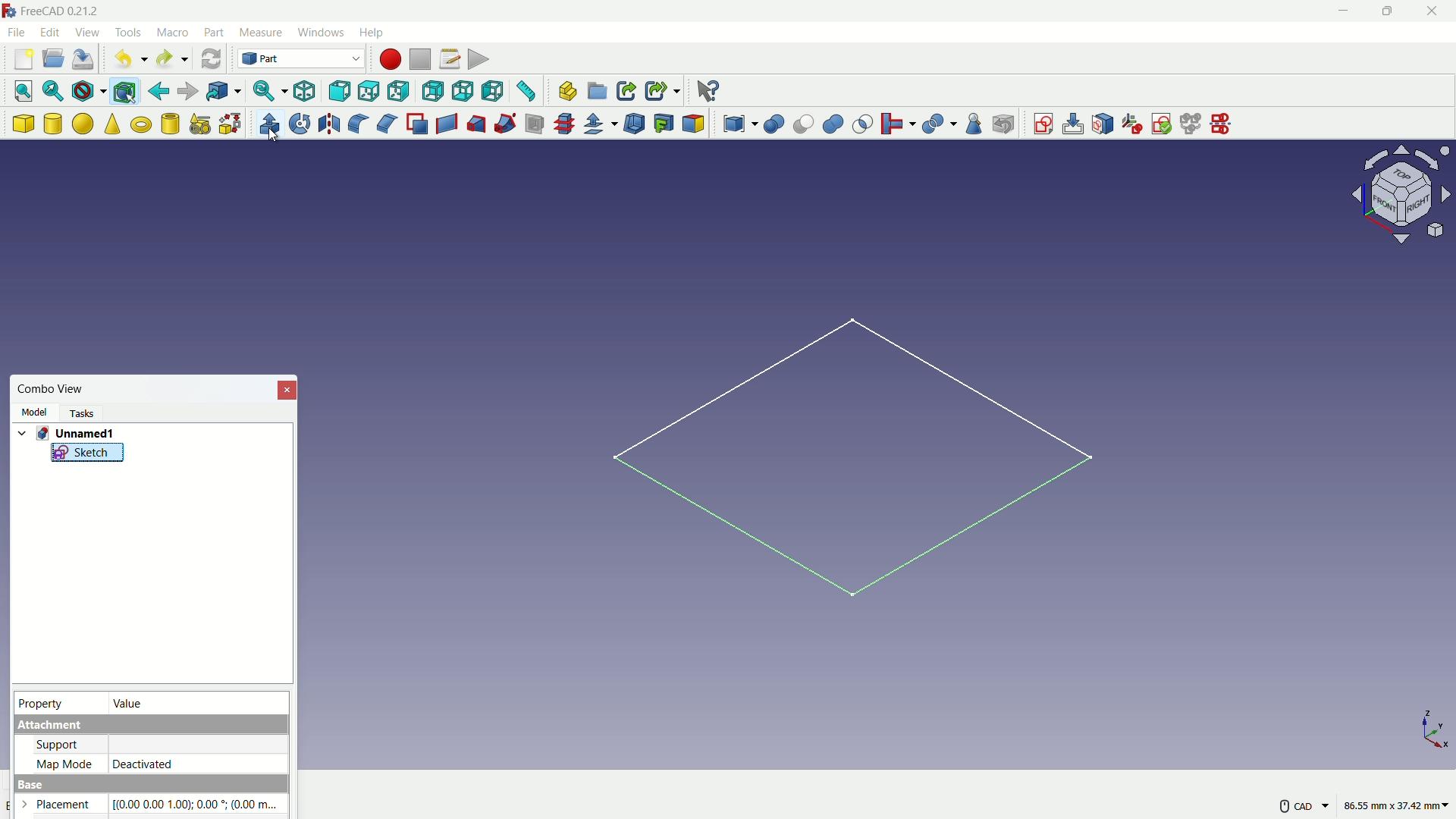 The width and height of the screenshot is (1456, 819). What do you see at coordinates (1391, 12) in the screenshot?
I see `maximize` at bounding box center [1391, 12].